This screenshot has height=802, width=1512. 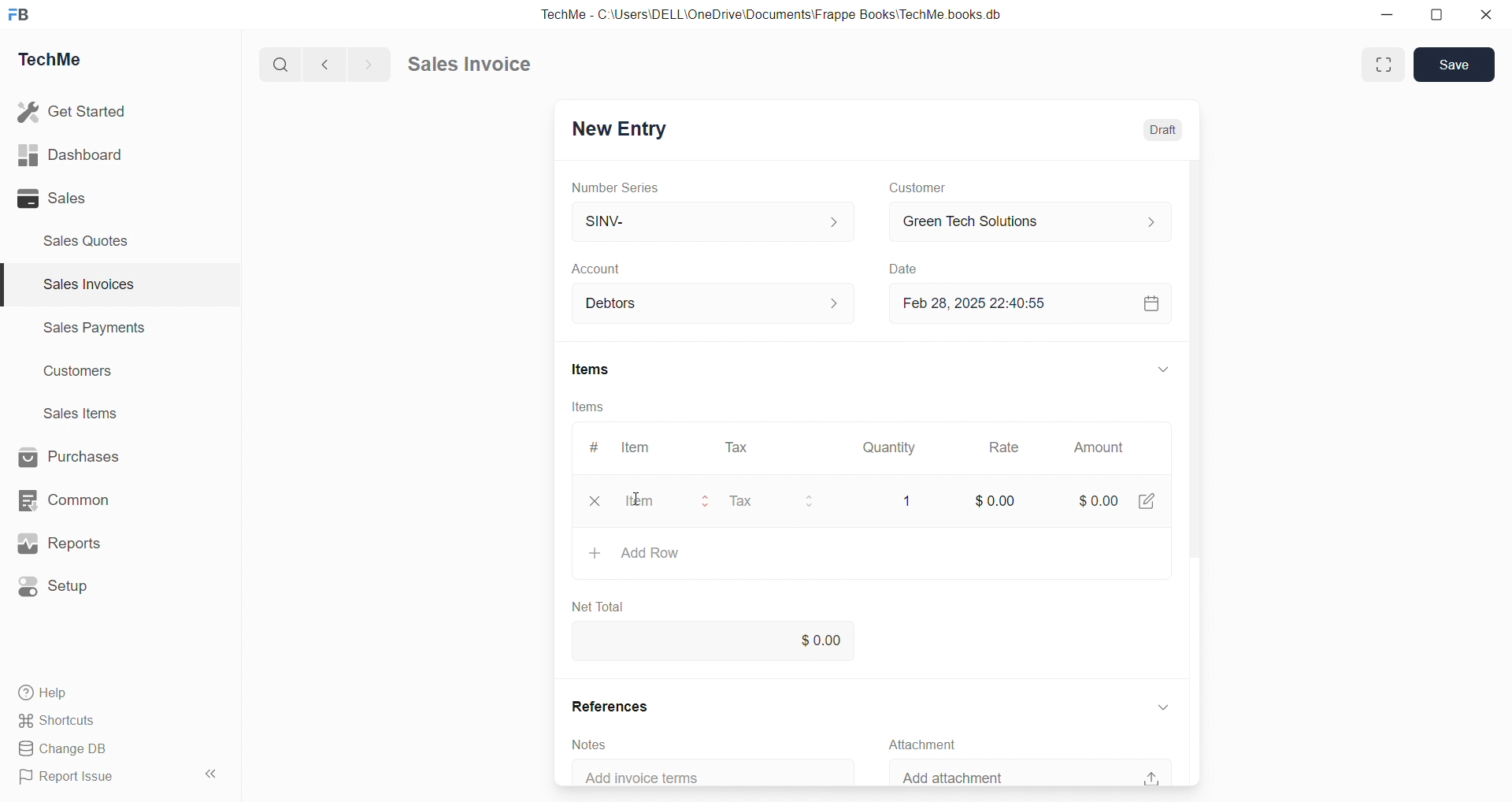 I want to click on Sales, so click(x=52, y=198).